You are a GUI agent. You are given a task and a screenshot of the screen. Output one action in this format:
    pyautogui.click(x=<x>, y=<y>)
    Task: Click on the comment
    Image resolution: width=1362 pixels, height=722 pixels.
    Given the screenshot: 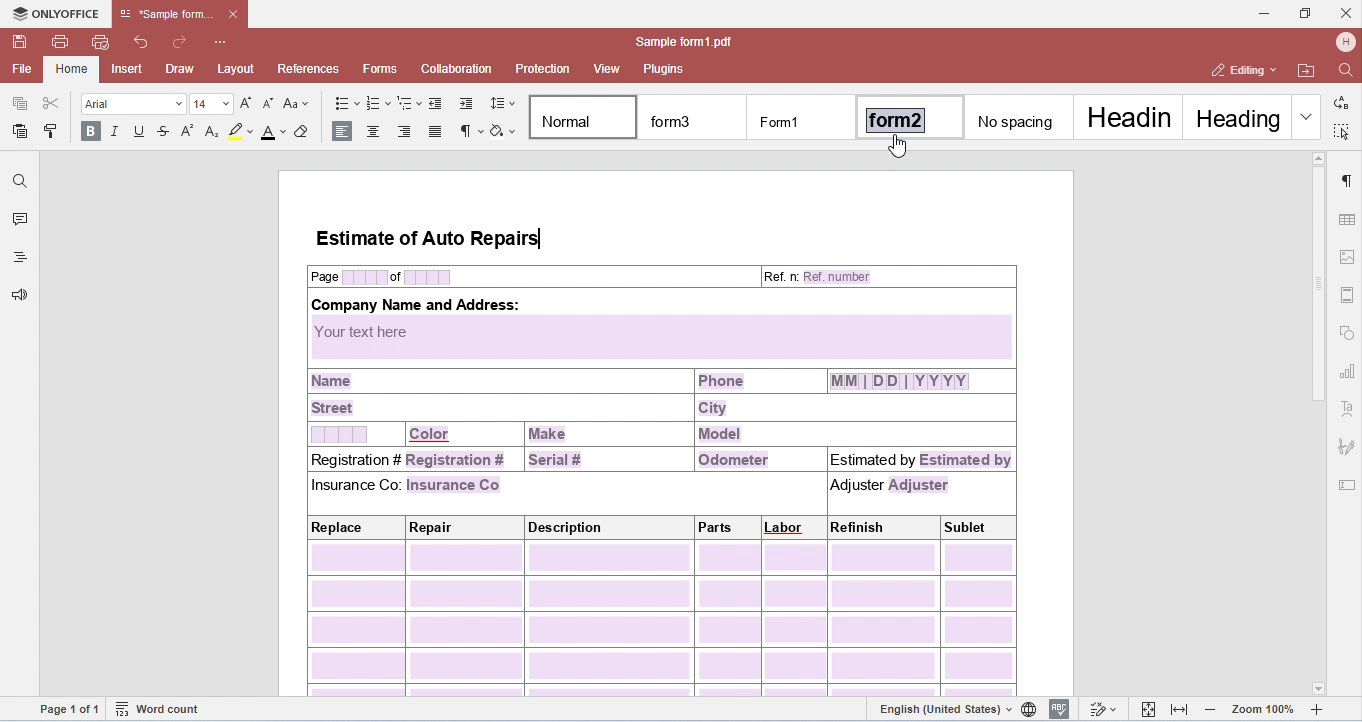 What is the action you would take?
    pyautogui.click(x=18, y=221)
    